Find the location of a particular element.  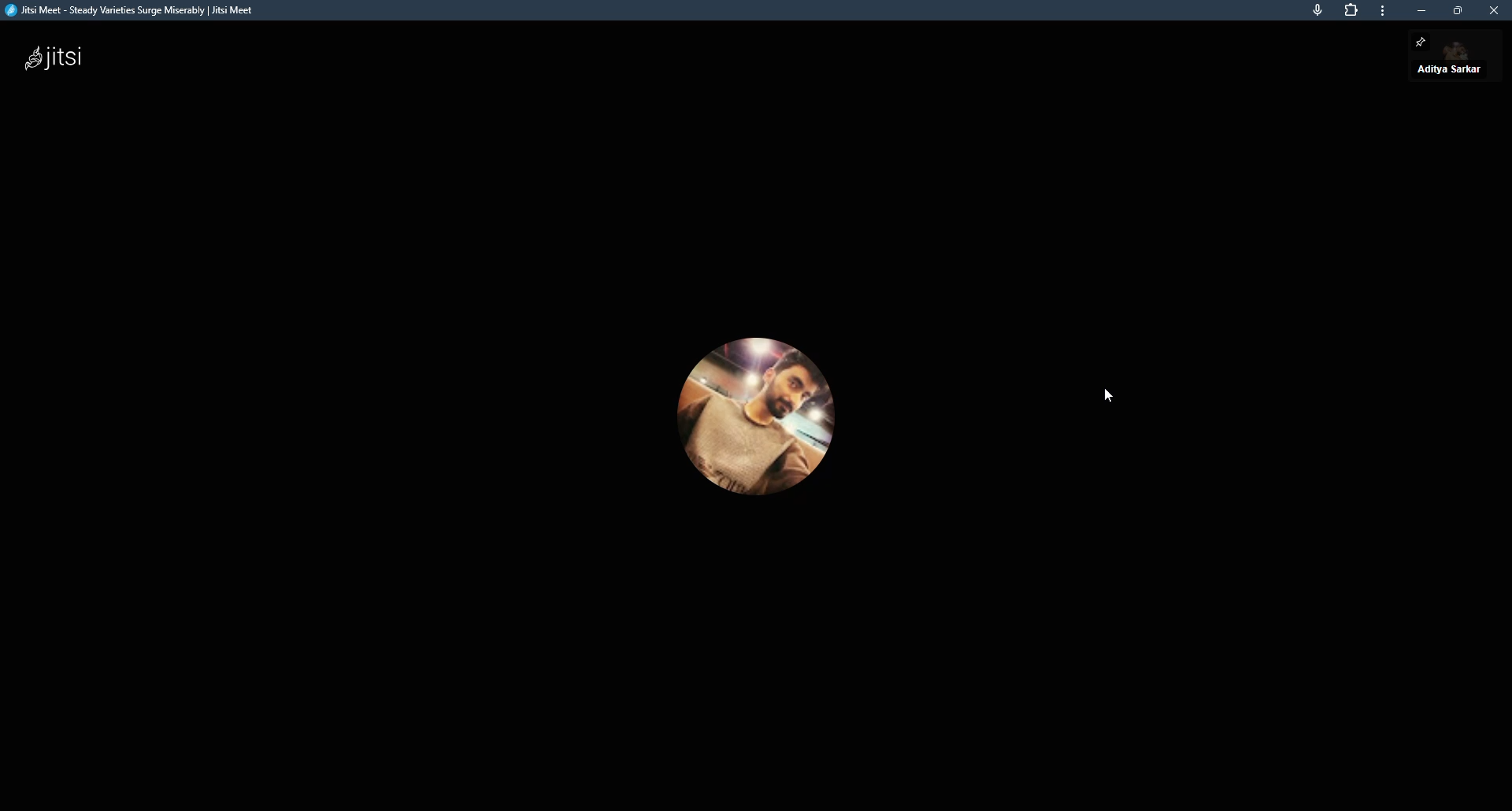

pin is located at coordinates (1423, 43).